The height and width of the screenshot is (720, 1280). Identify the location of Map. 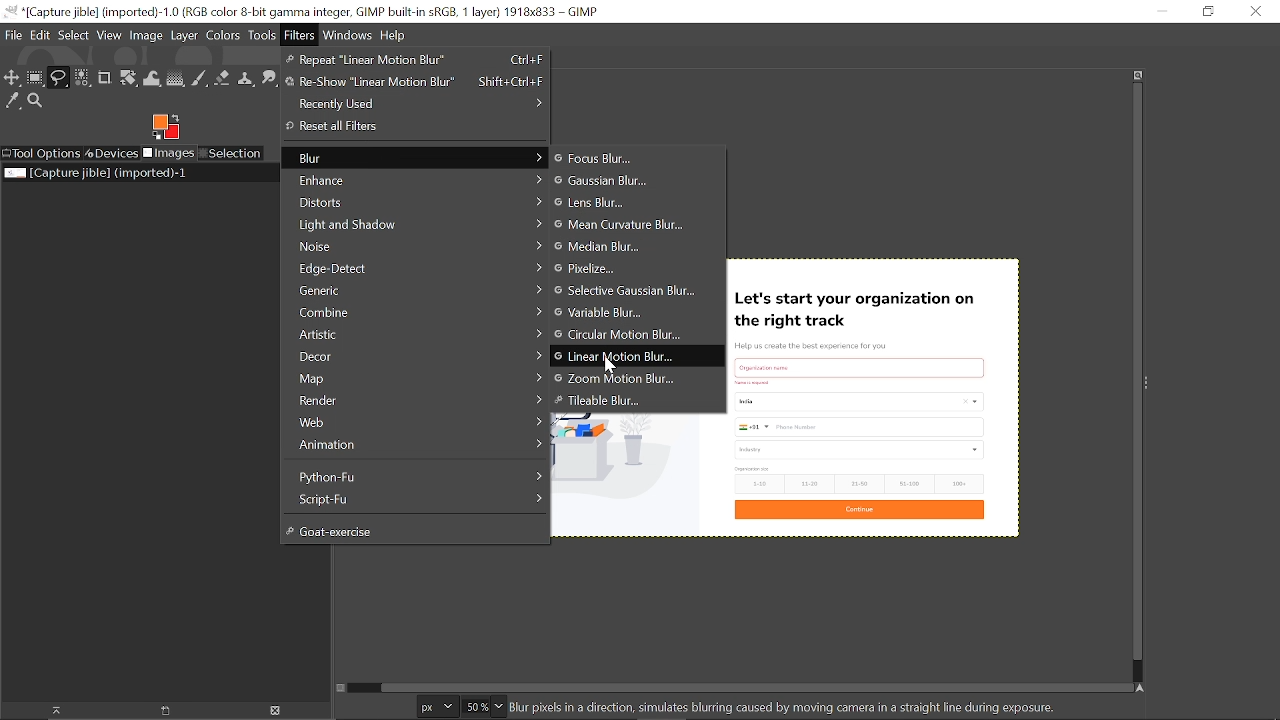
(412, 378).